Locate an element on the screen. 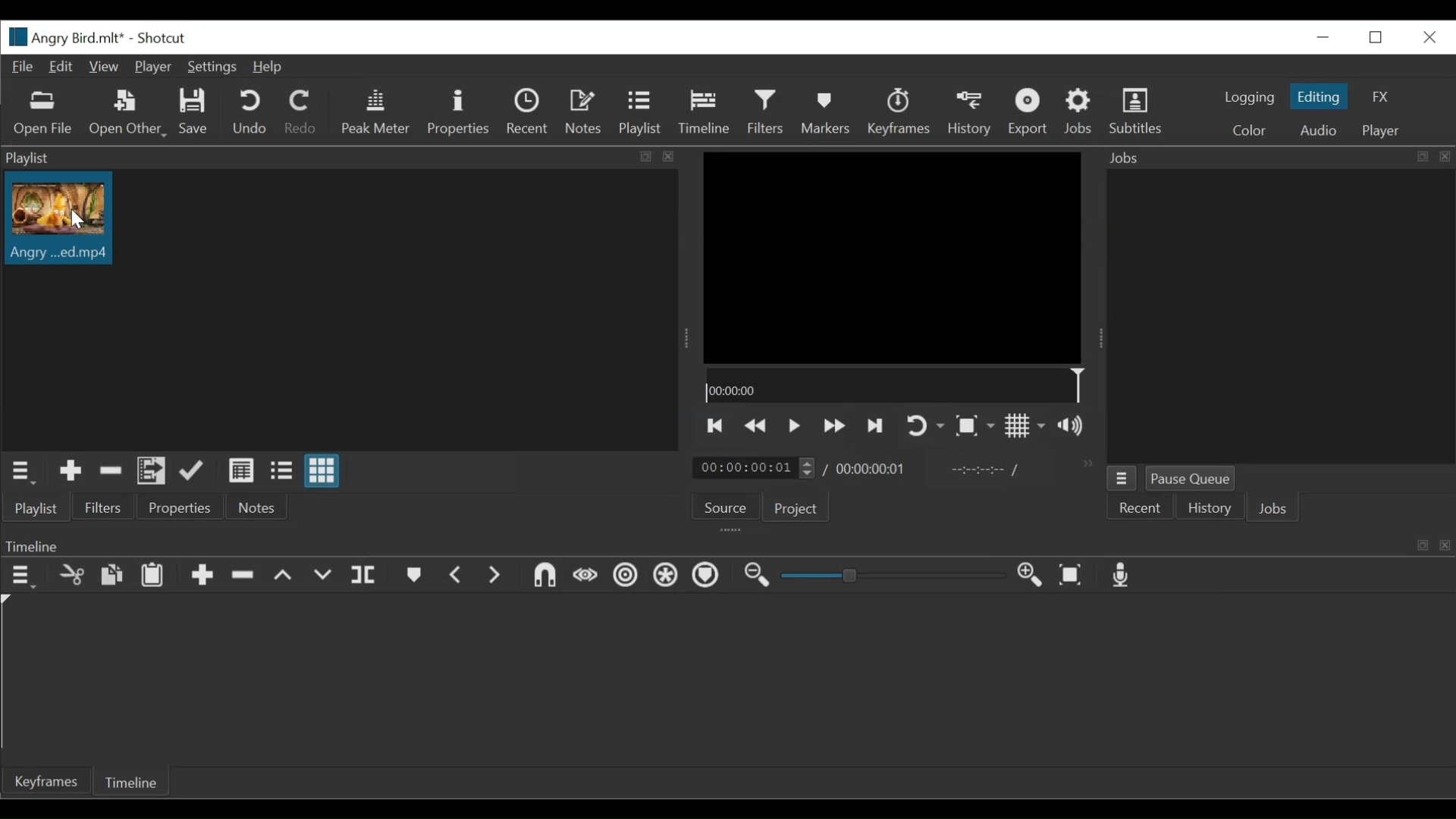  Close is located at coordinates (1430, 37).